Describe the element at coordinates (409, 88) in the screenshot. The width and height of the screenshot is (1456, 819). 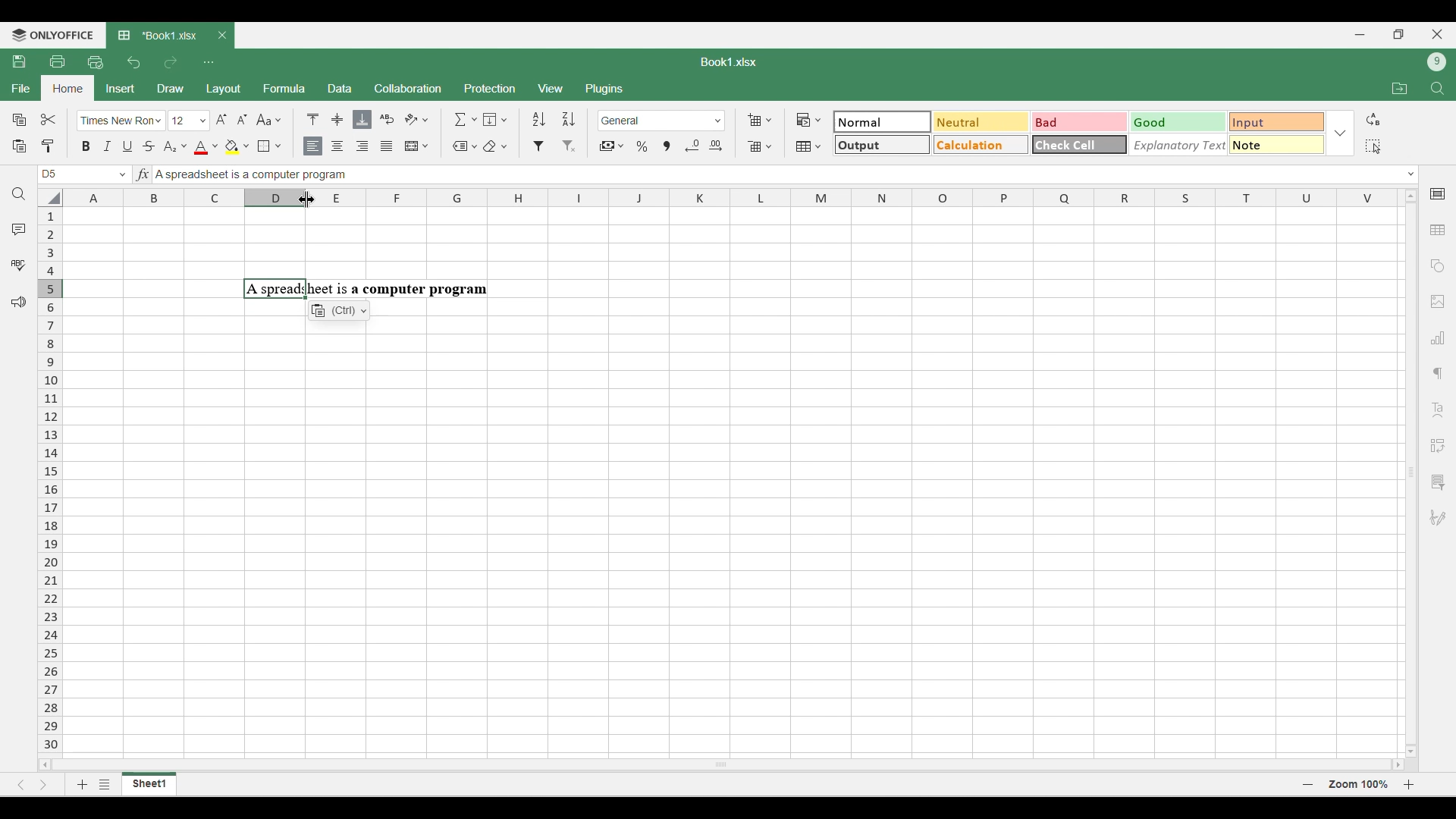
I see `Collaboration menu` at that location.